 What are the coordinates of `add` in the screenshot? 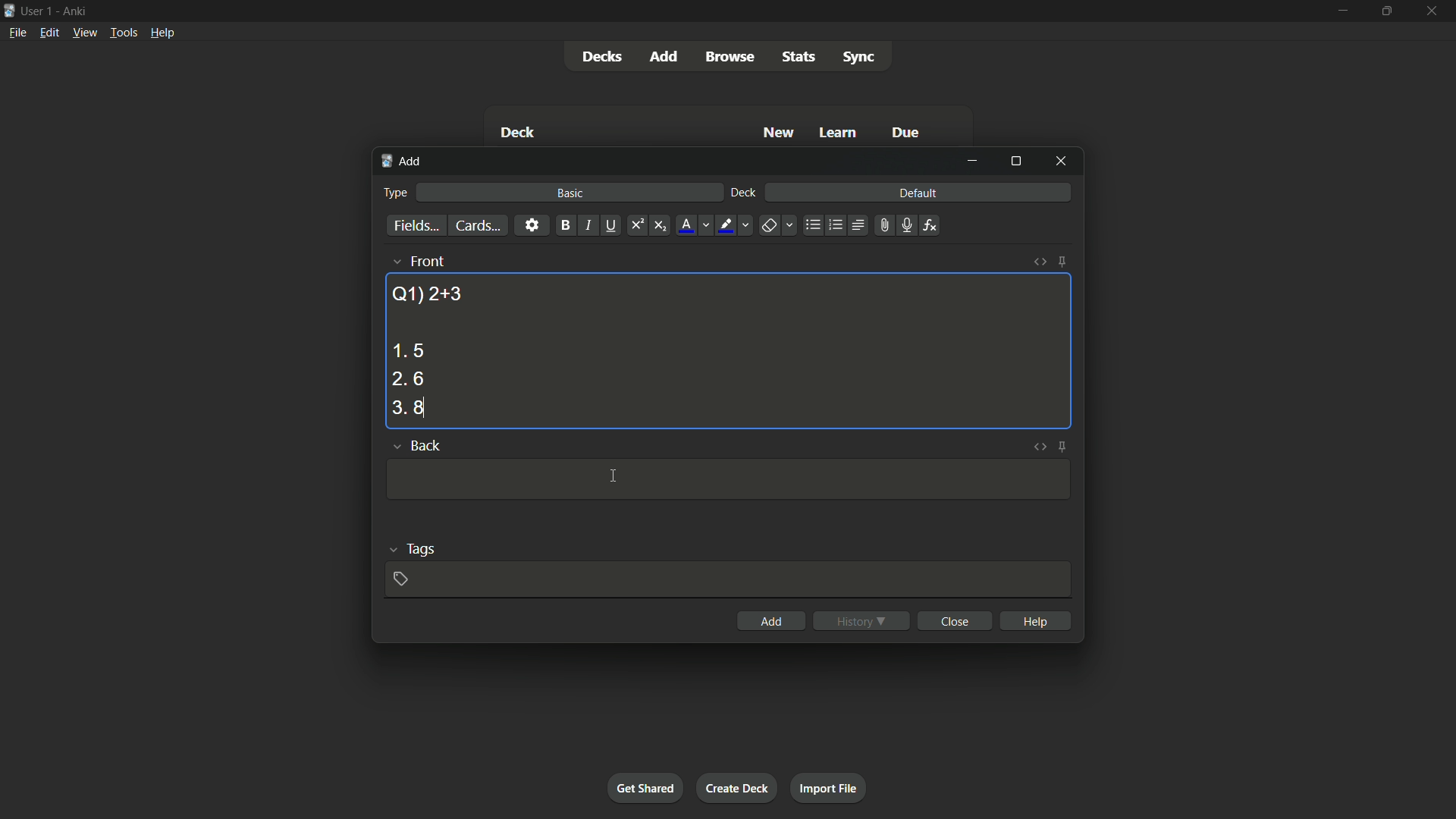 It's located at (772, 621).